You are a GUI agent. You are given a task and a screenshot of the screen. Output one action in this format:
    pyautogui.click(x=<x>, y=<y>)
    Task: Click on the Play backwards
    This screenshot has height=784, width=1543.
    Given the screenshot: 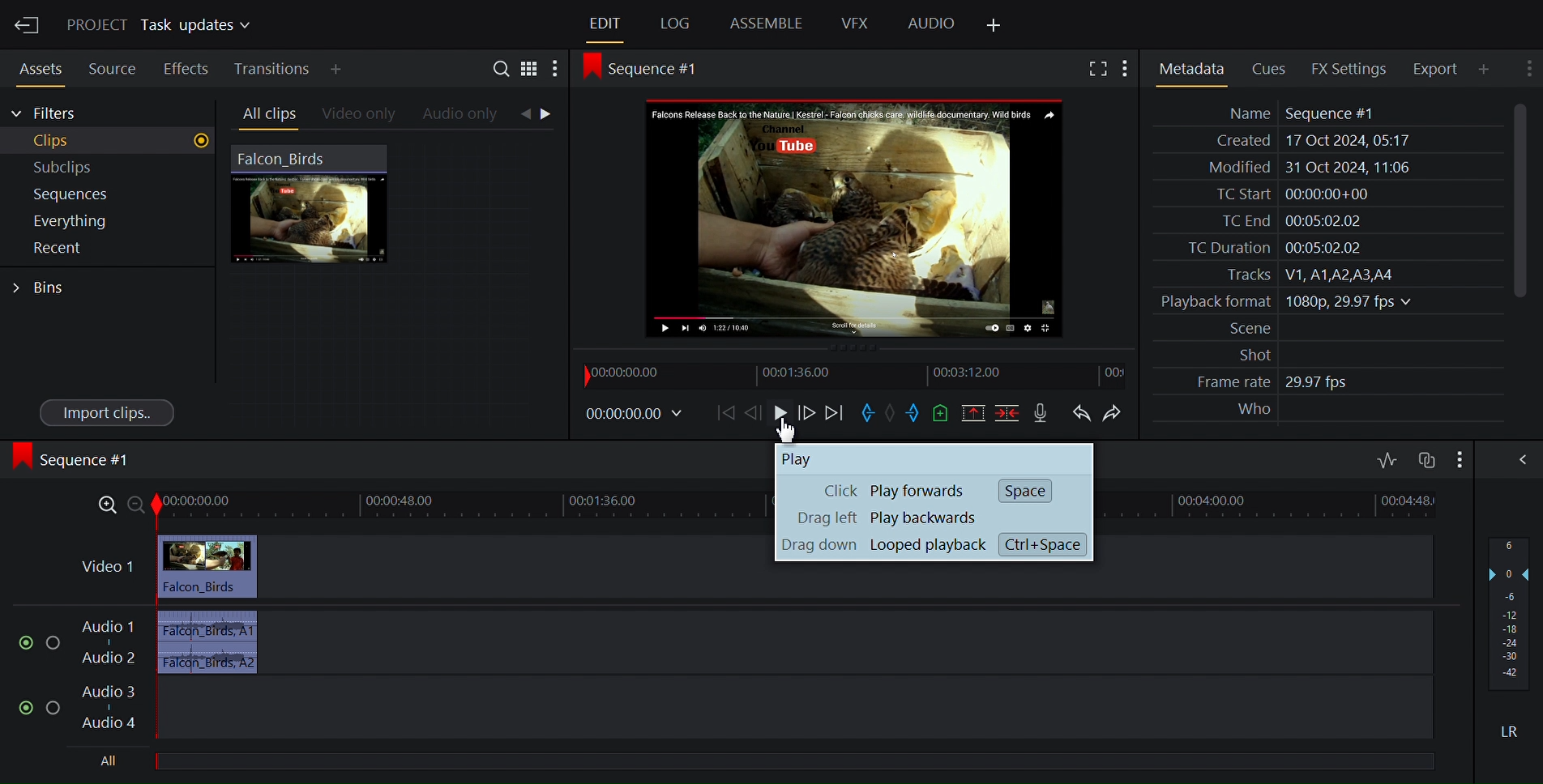 What is the action you would take?
    pyautogui.click(x=923, y=518)
    